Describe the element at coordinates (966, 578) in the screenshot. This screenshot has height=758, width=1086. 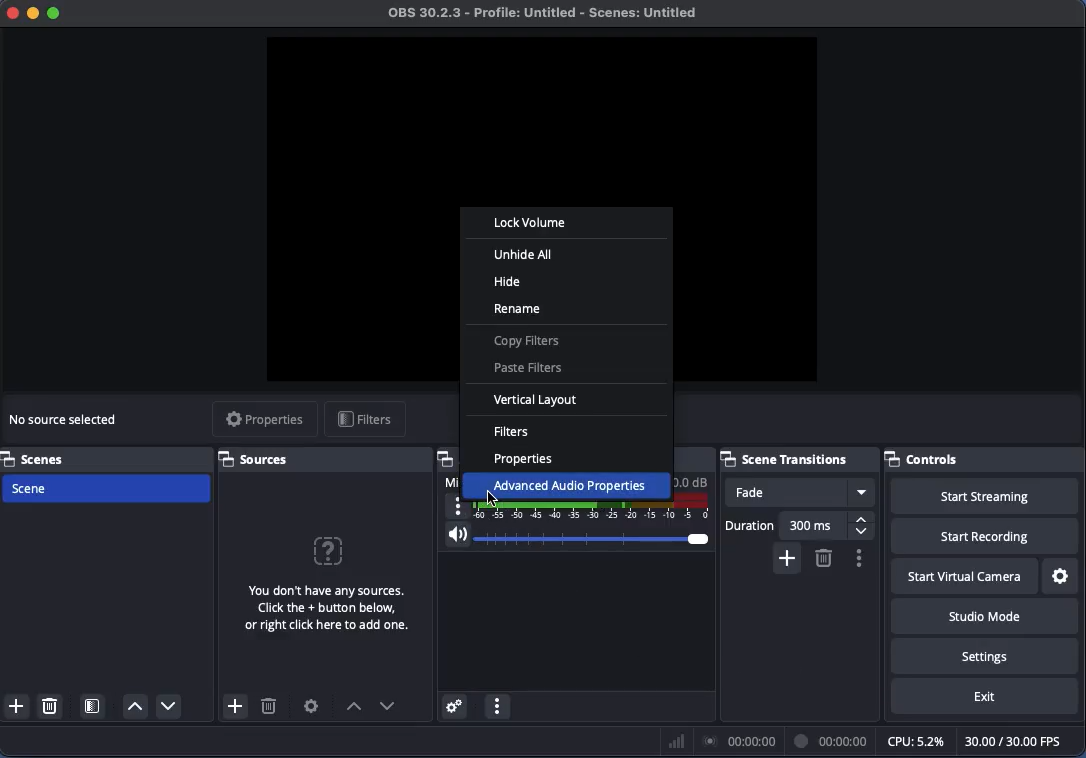
I see `Start virtual camera` at that location.